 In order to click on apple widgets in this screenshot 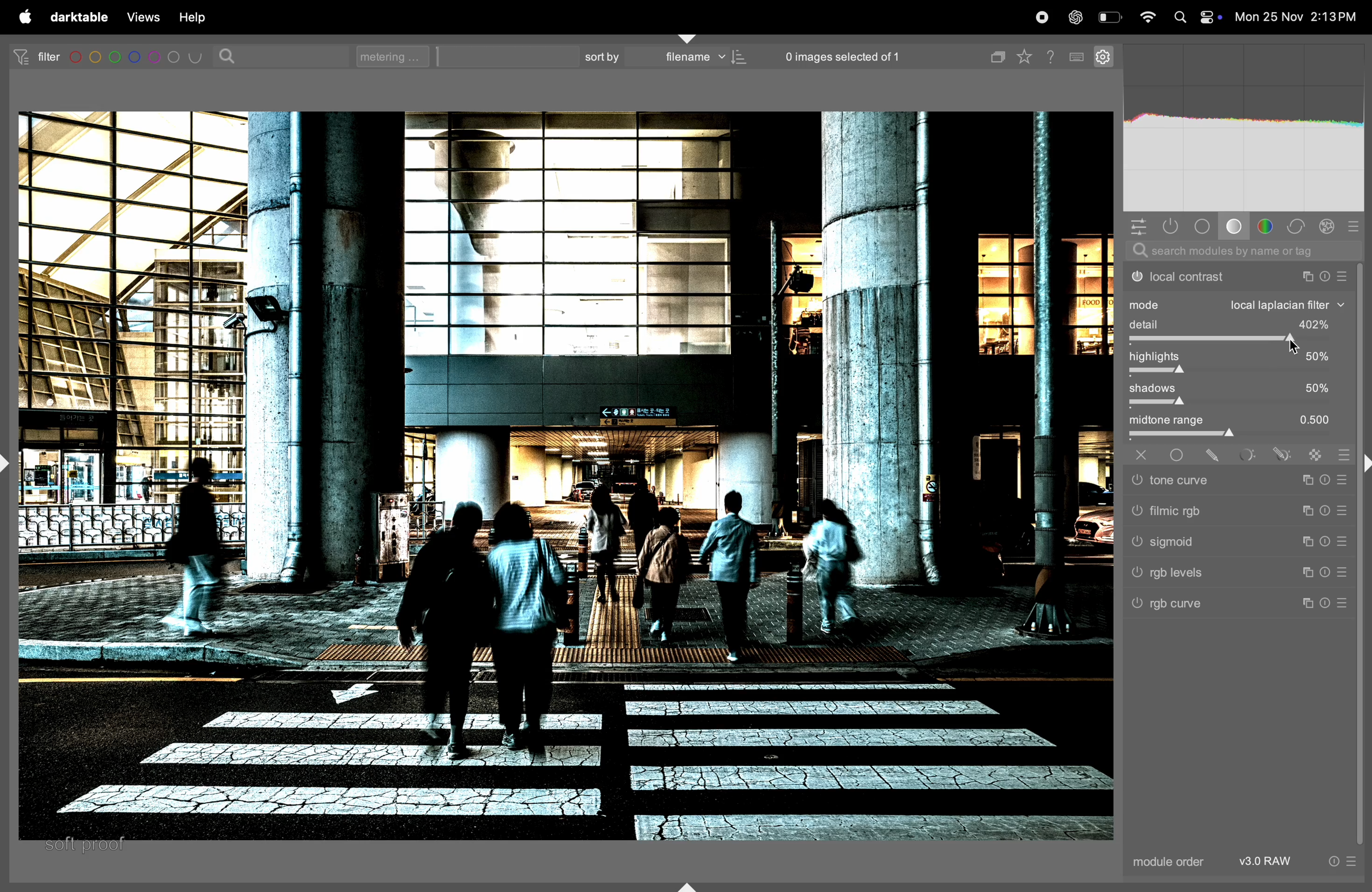, I will do `click(1210, 17)`.